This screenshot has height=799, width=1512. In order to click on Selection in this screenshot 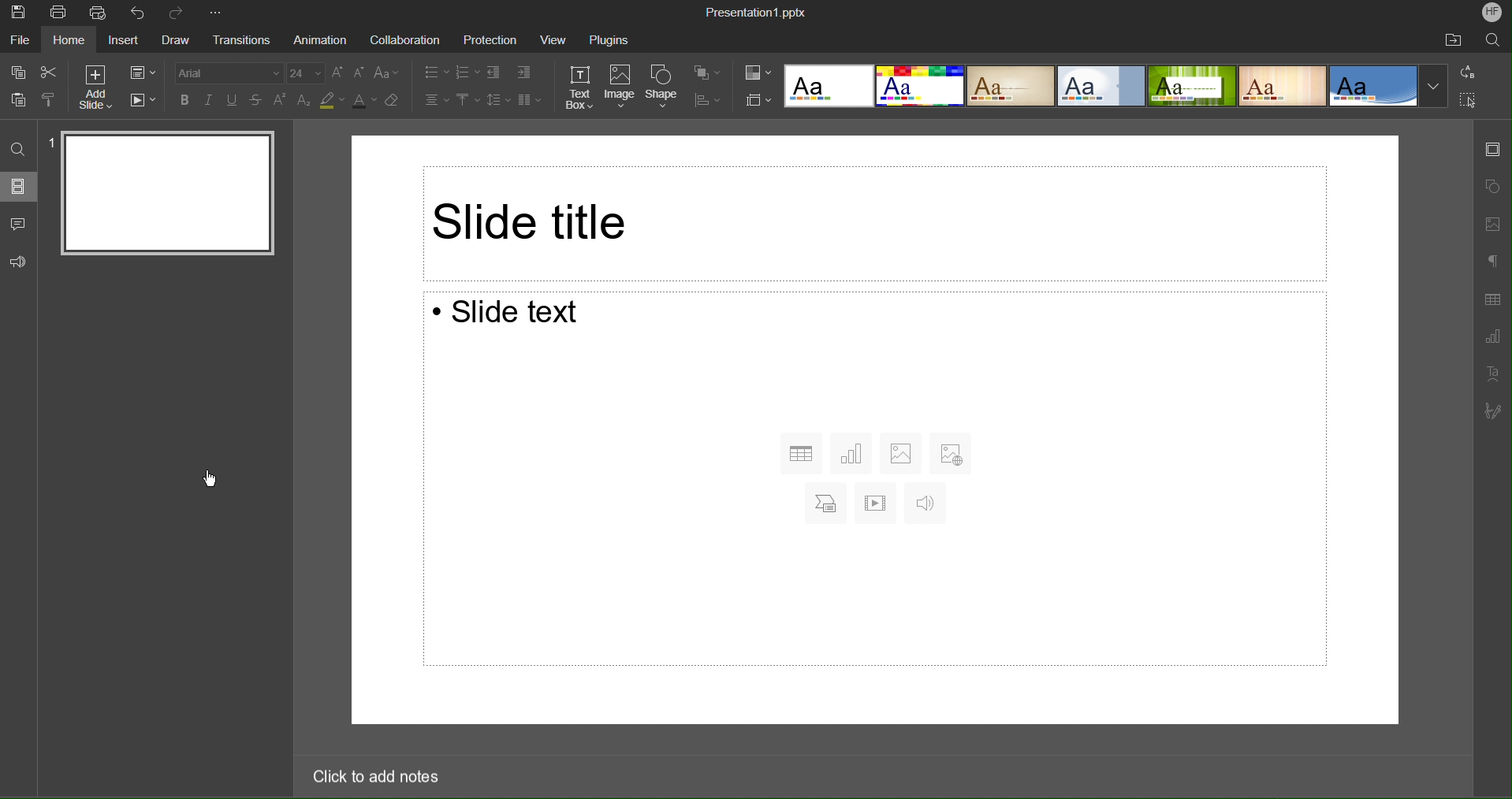, I will do `click(1467, 100)`.